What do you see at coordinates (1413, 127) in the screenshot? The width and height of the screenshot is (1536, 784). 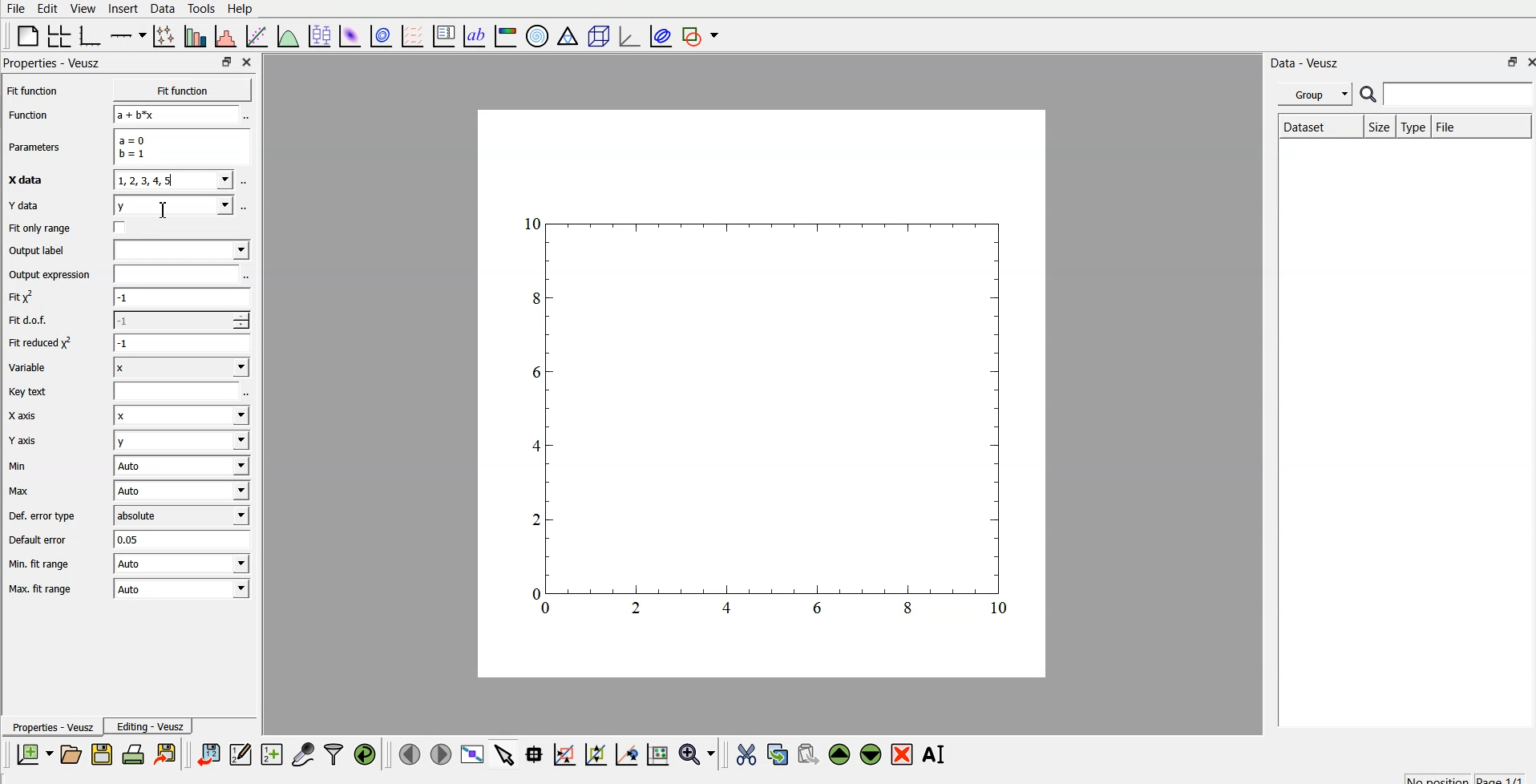 I see `type` at bounding box center [1413, 127].